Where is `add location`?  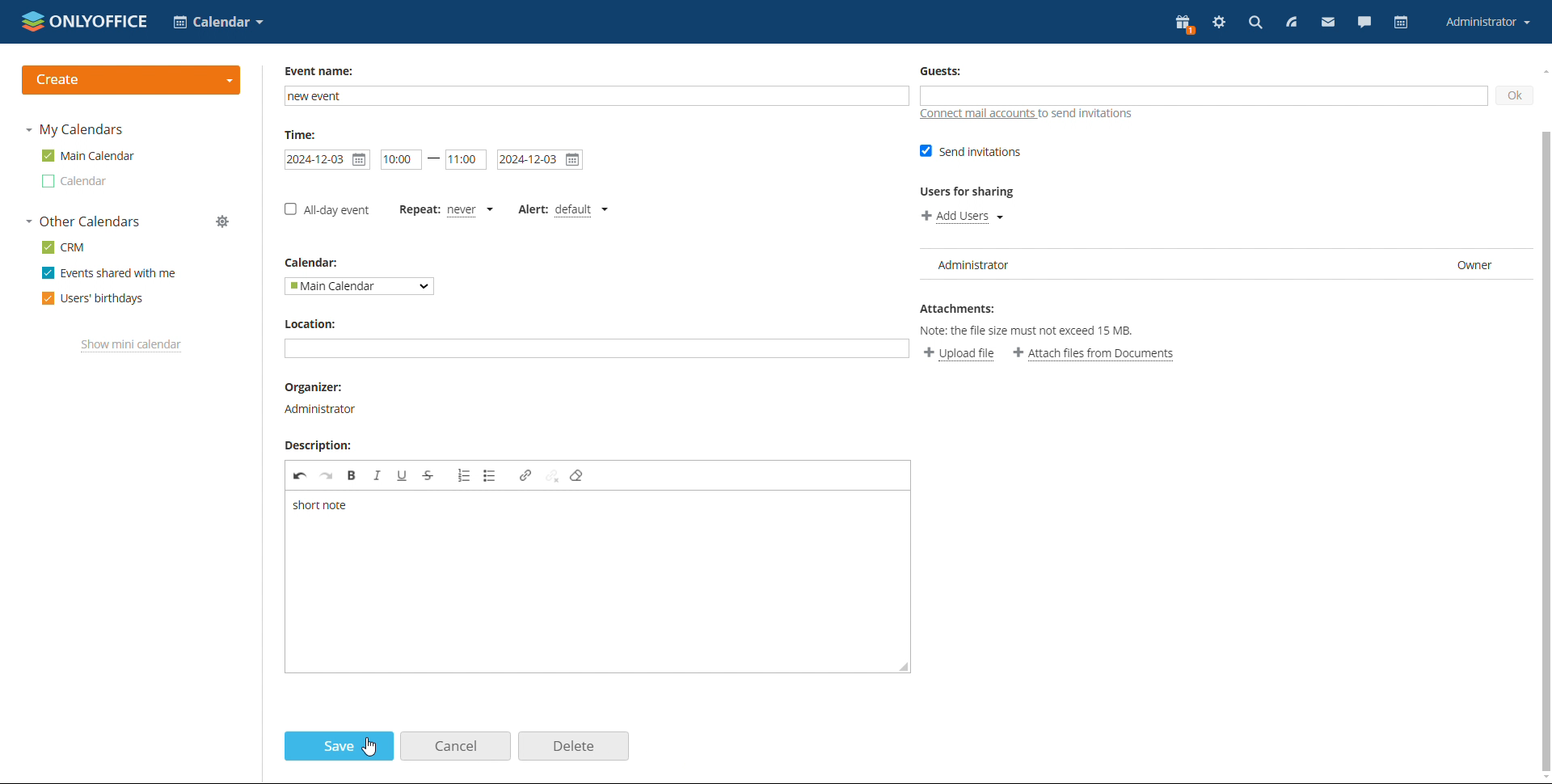
add location is located at coordinates (597, 348).